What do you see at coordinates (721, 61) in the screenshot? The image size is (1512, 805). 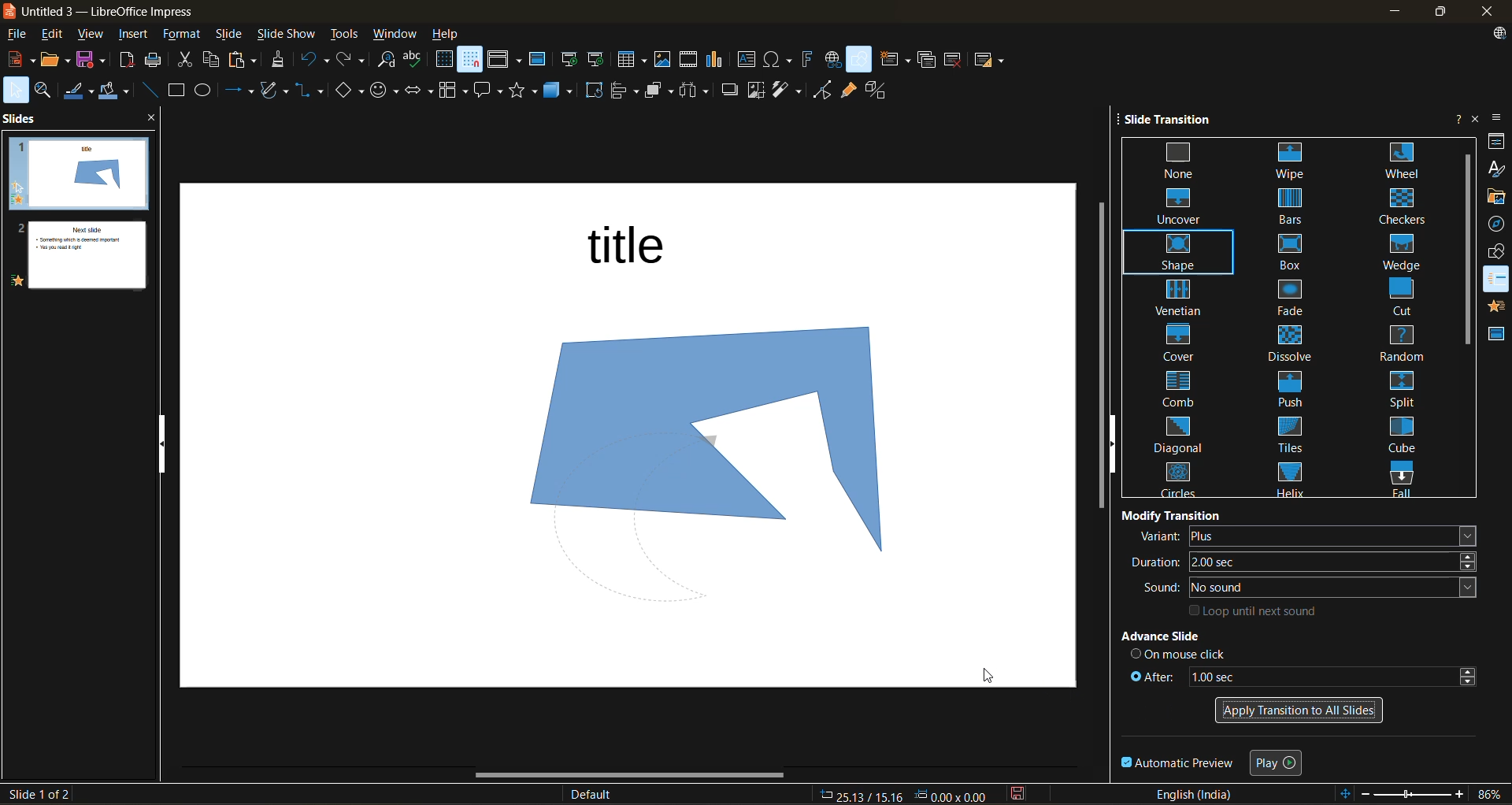 I see `insert chart` at bounding box center [721, 61].